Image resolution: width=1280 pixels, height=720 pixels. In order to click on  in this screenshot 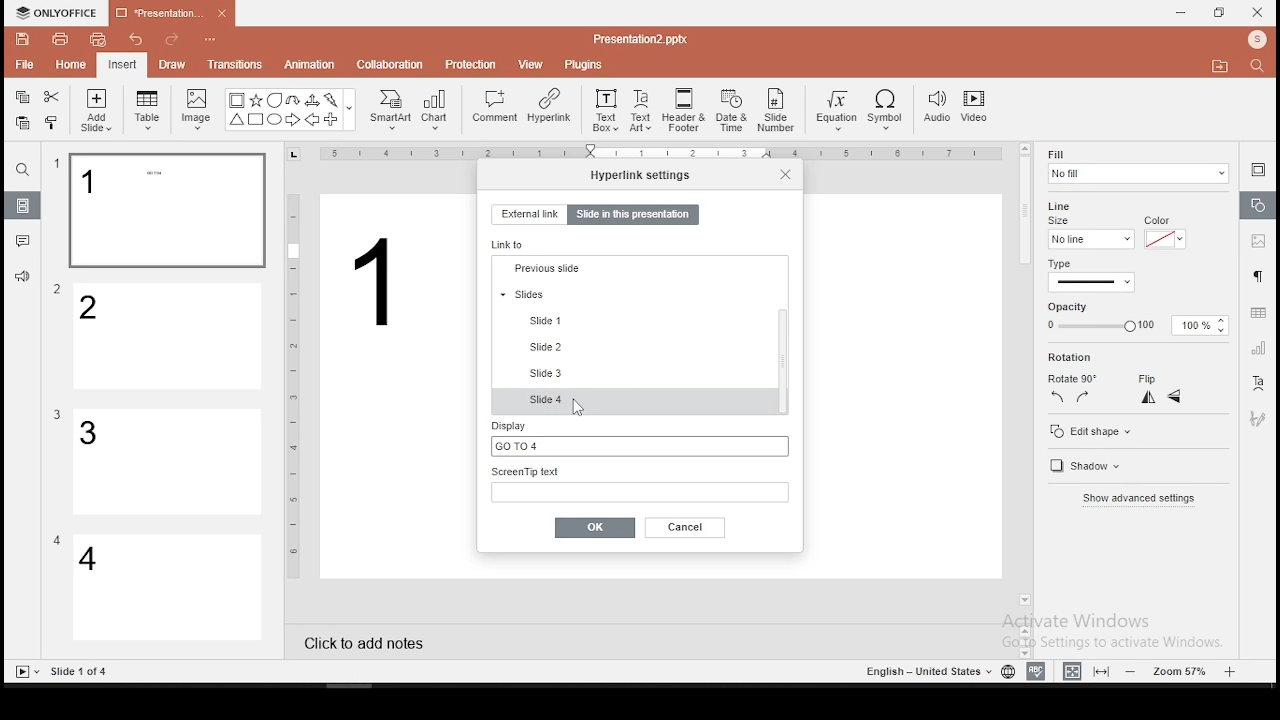, I will do `click(57, 415)`.